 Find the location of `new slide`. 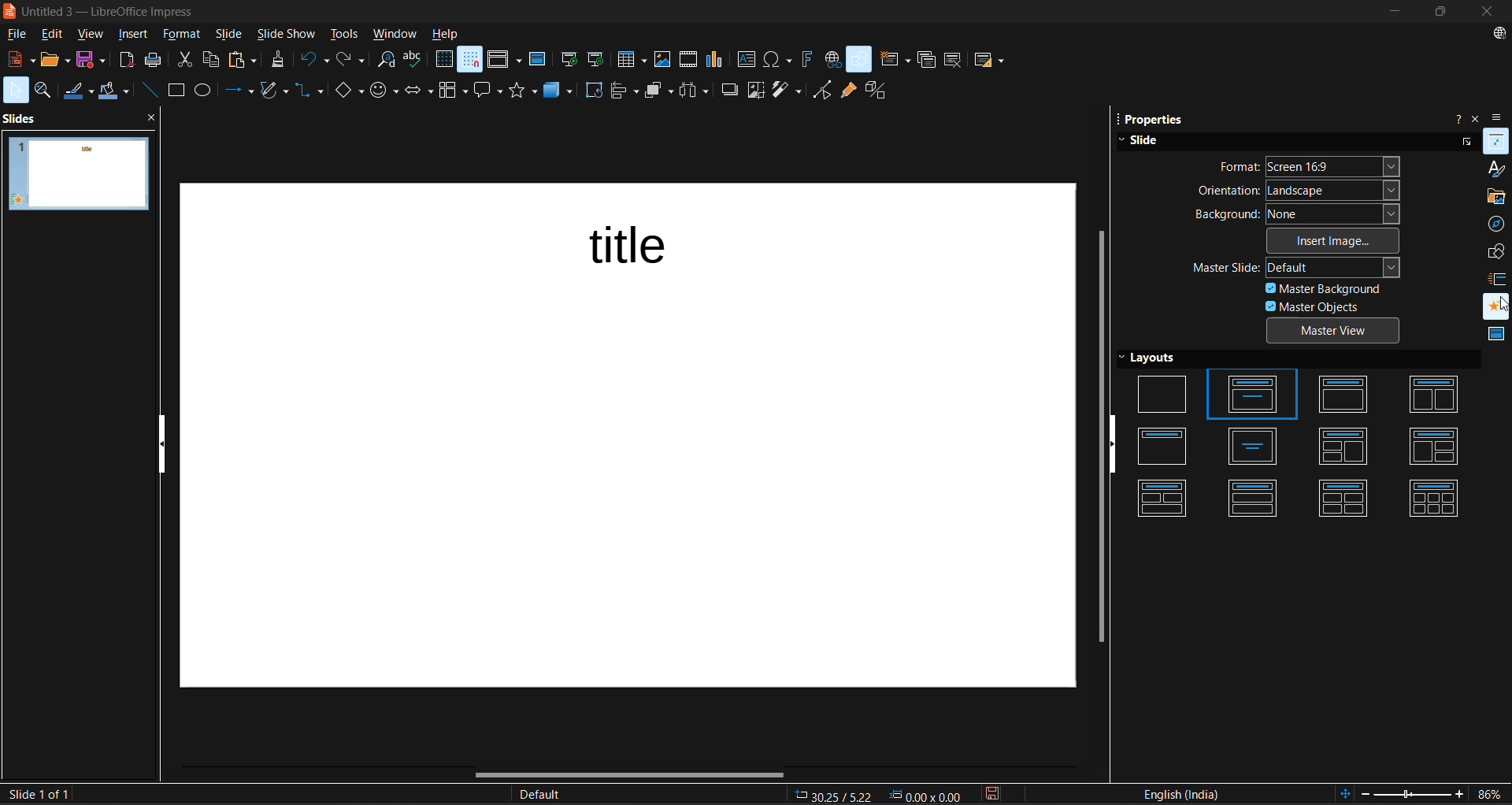

new slide is located at coordinates (894, 61).